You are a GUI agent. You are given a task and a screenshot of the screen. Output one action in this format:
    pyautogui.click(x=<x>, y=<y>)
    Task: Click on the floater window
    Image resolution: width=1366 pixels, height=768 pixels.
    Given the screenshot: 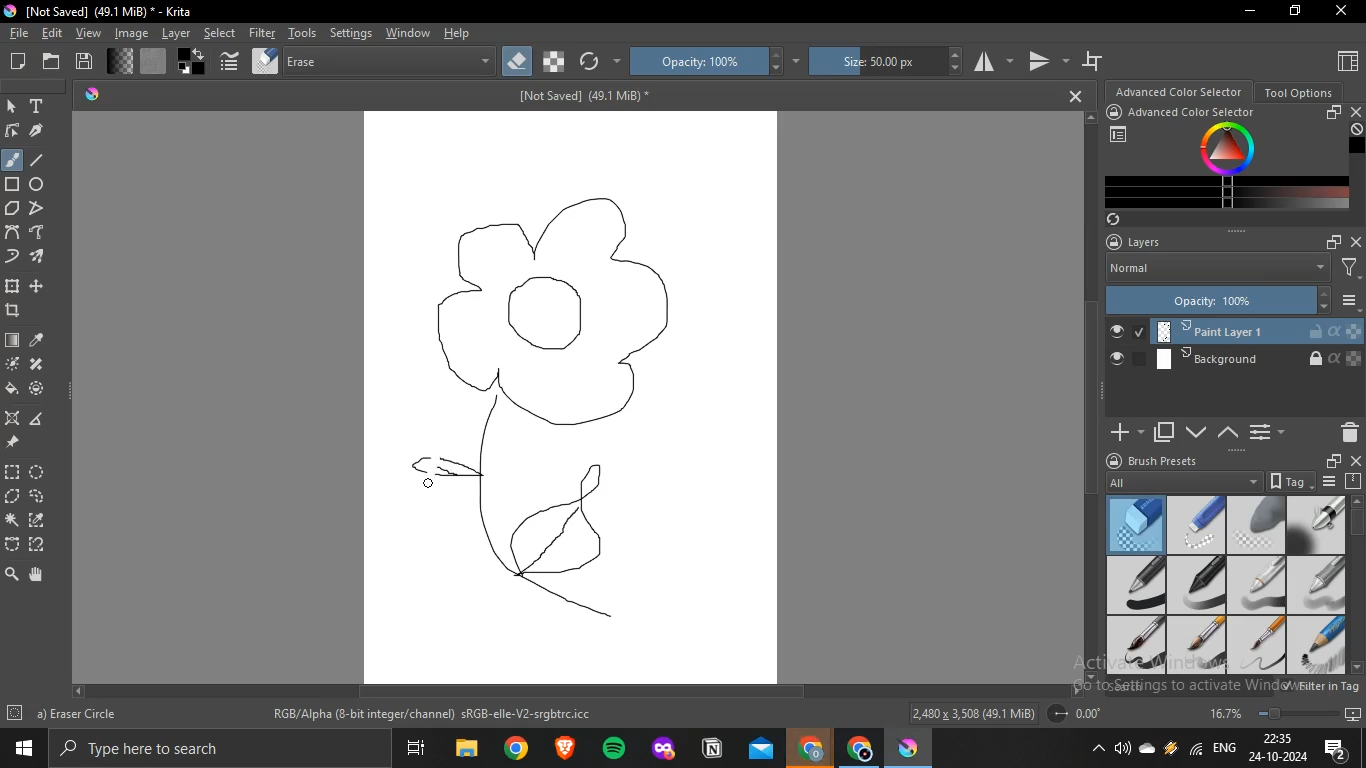 What is the action you would take?
    pyautogui.click(x=1332, y=461)
    